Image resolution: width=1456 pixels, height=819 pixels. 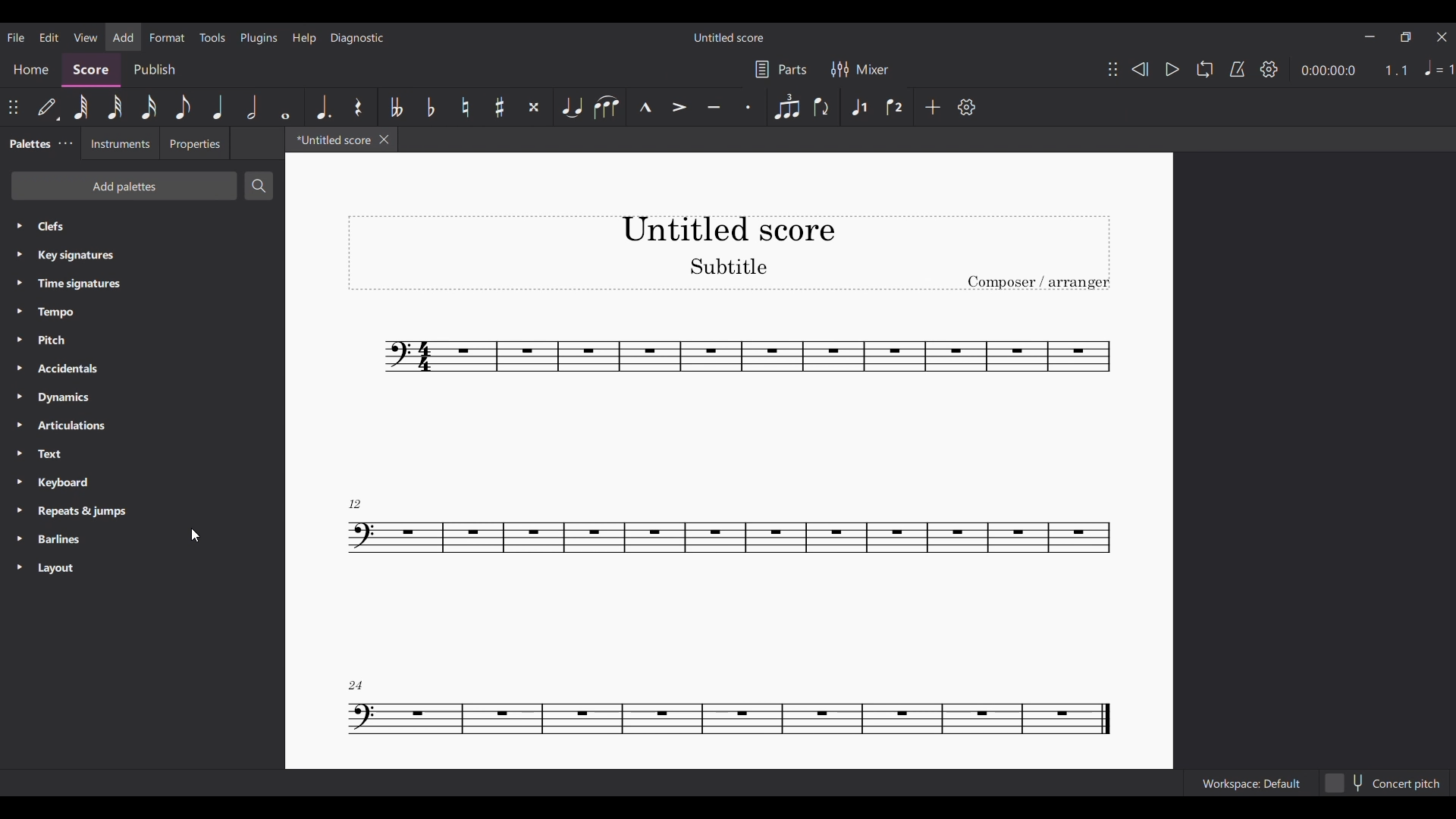 What do you see at coordinates (152, 68) in the screenshot?
I see `Publish` at bounding box center [152, 68].